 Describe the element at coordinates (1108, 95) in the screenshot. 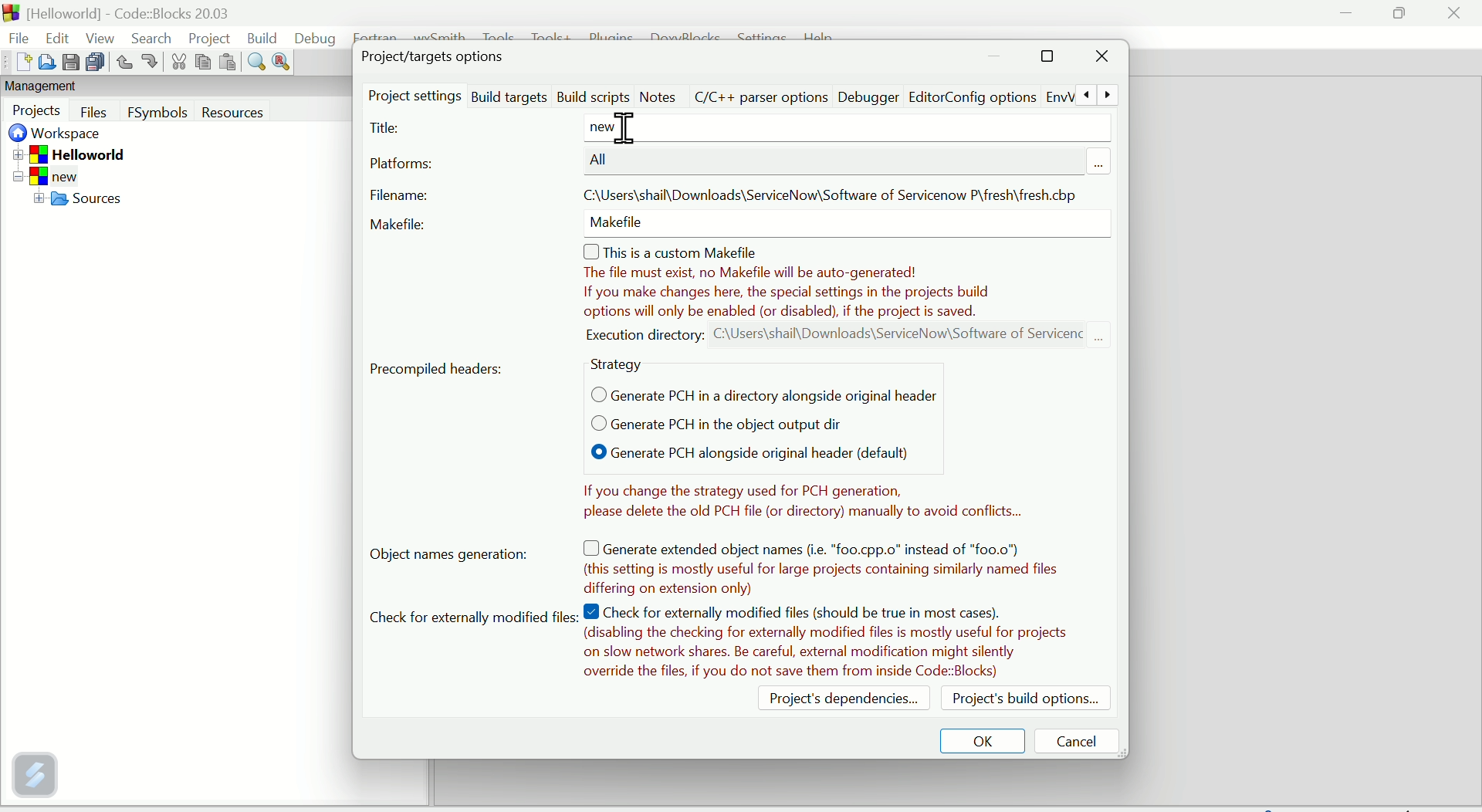

I see `Next` at that location.